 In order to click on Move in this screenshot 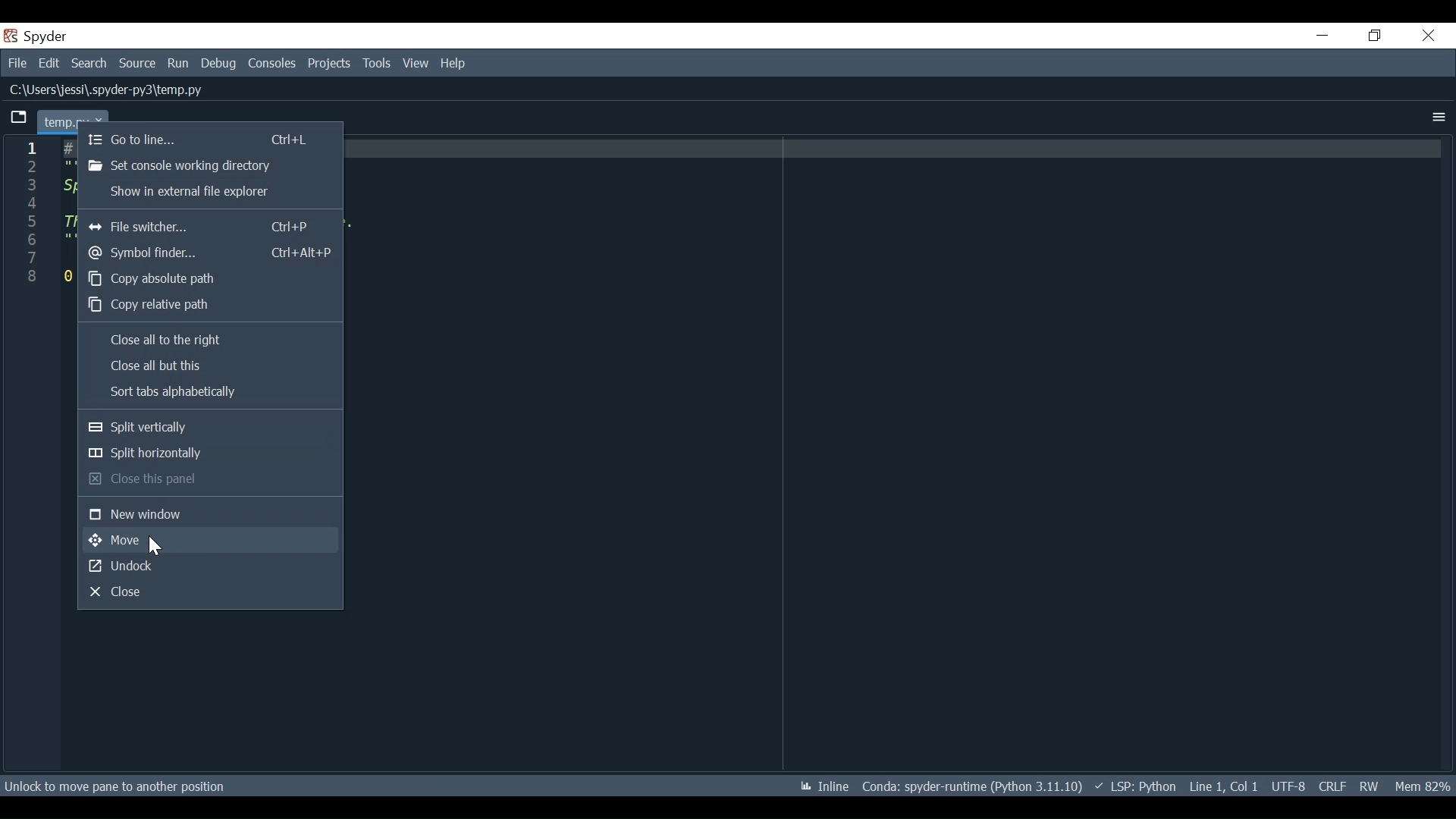, I will do `click(211, 541)`.